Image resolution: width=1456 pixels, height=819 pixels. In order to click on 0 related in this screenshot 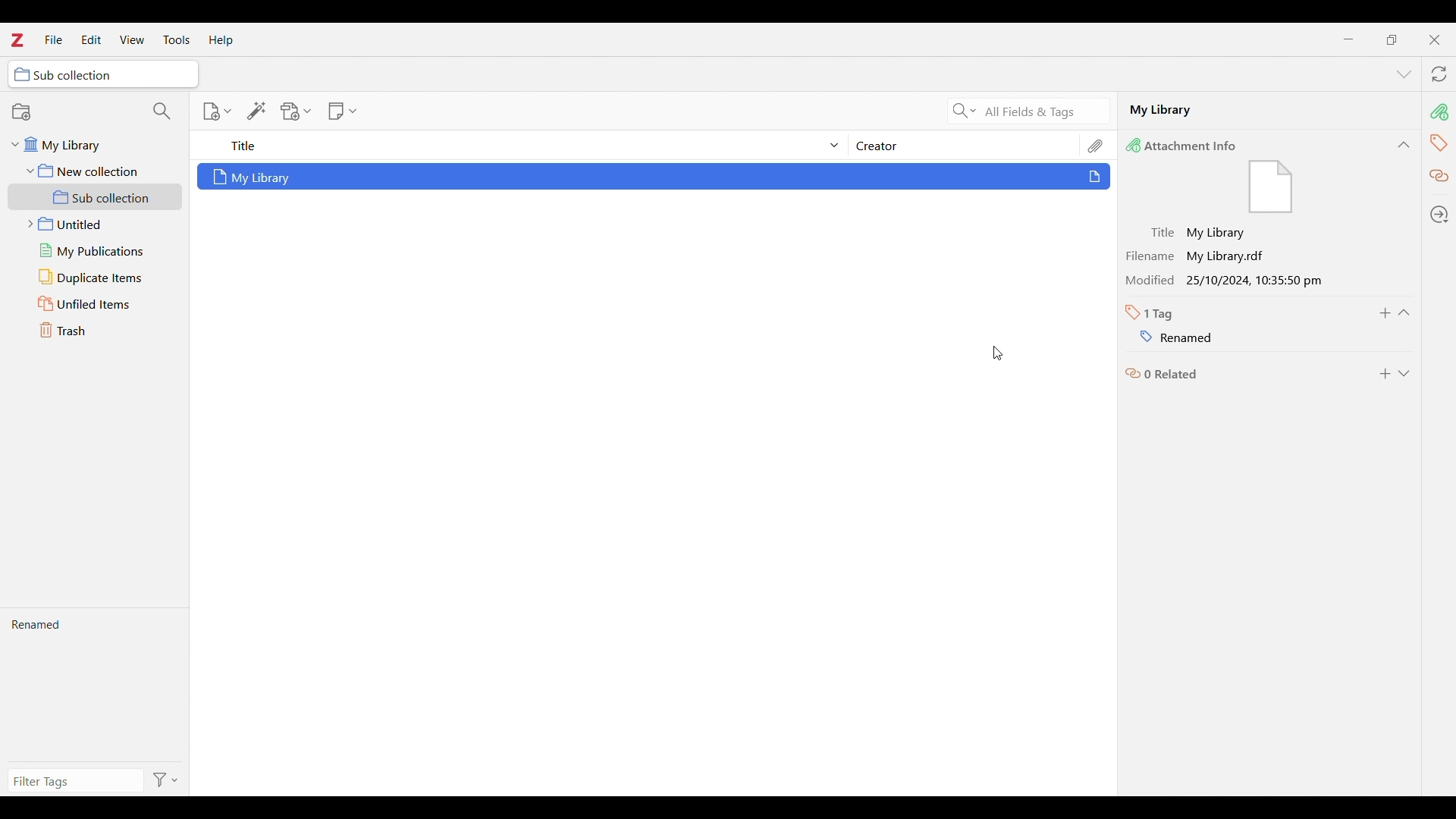, I will do `click(1163, 372)`.